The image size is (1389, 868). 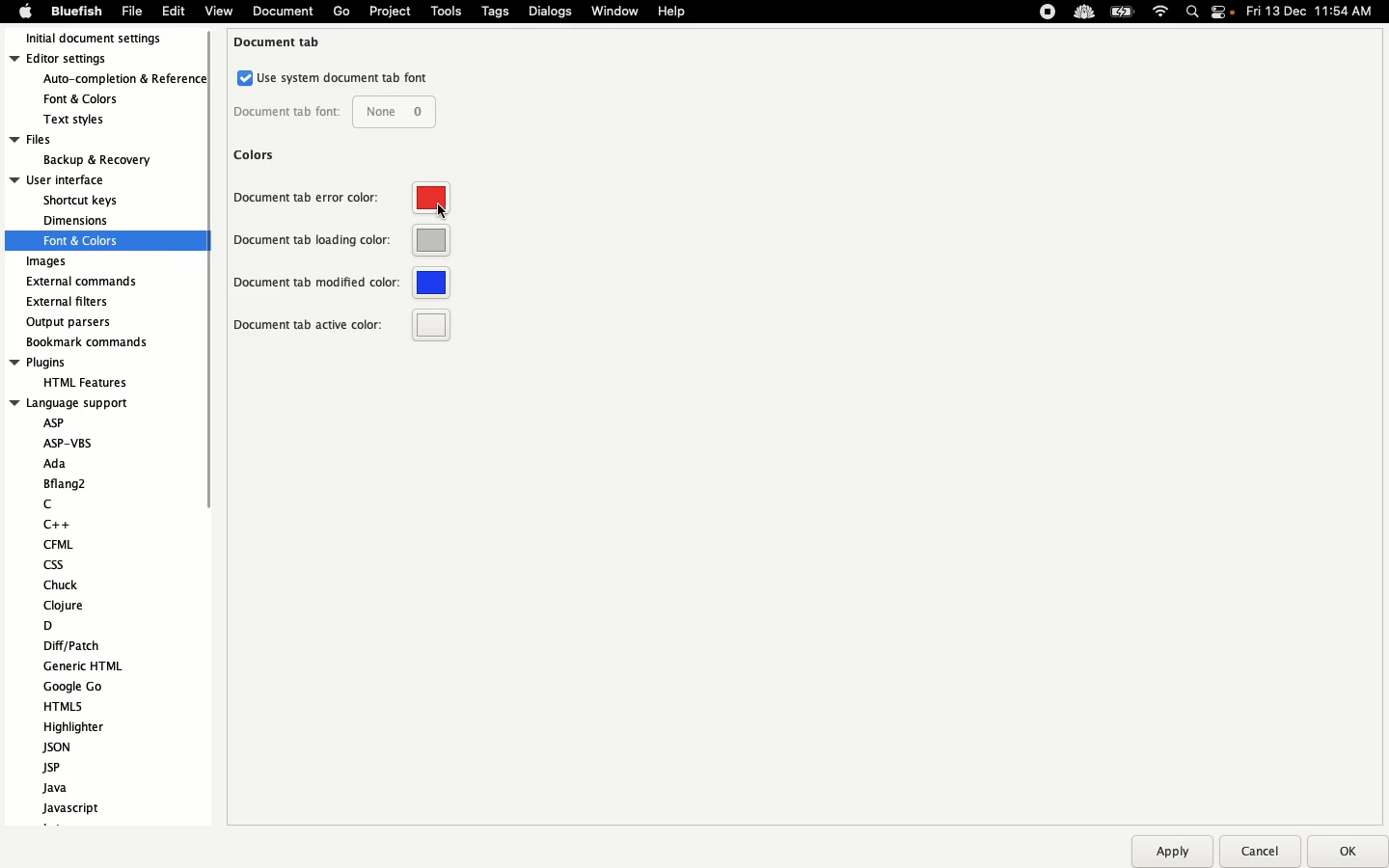 I want to click on Colors , so click(x=257, y=154).